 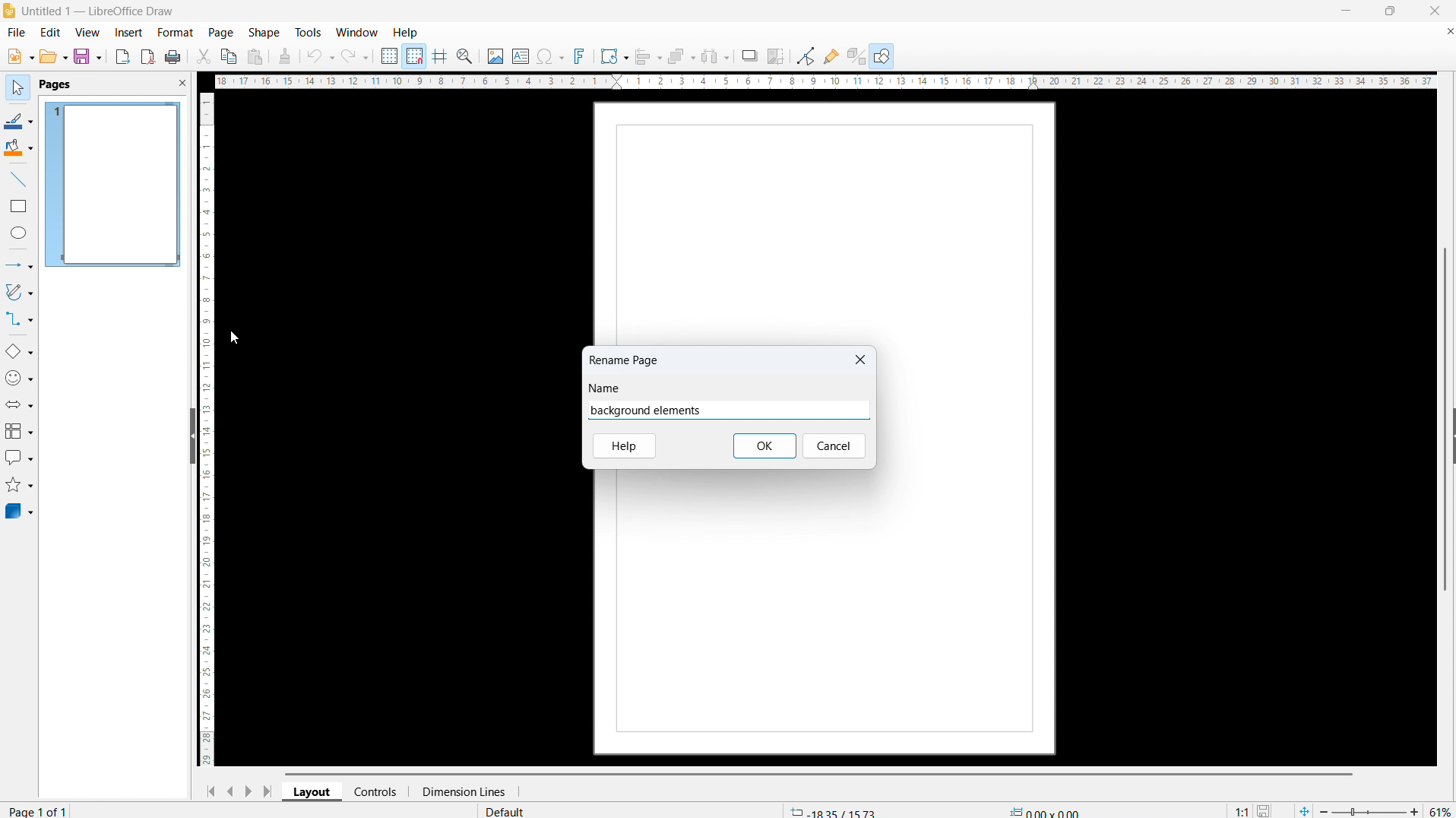 I want to click on Snap to grid , so click(x=414, y=56).